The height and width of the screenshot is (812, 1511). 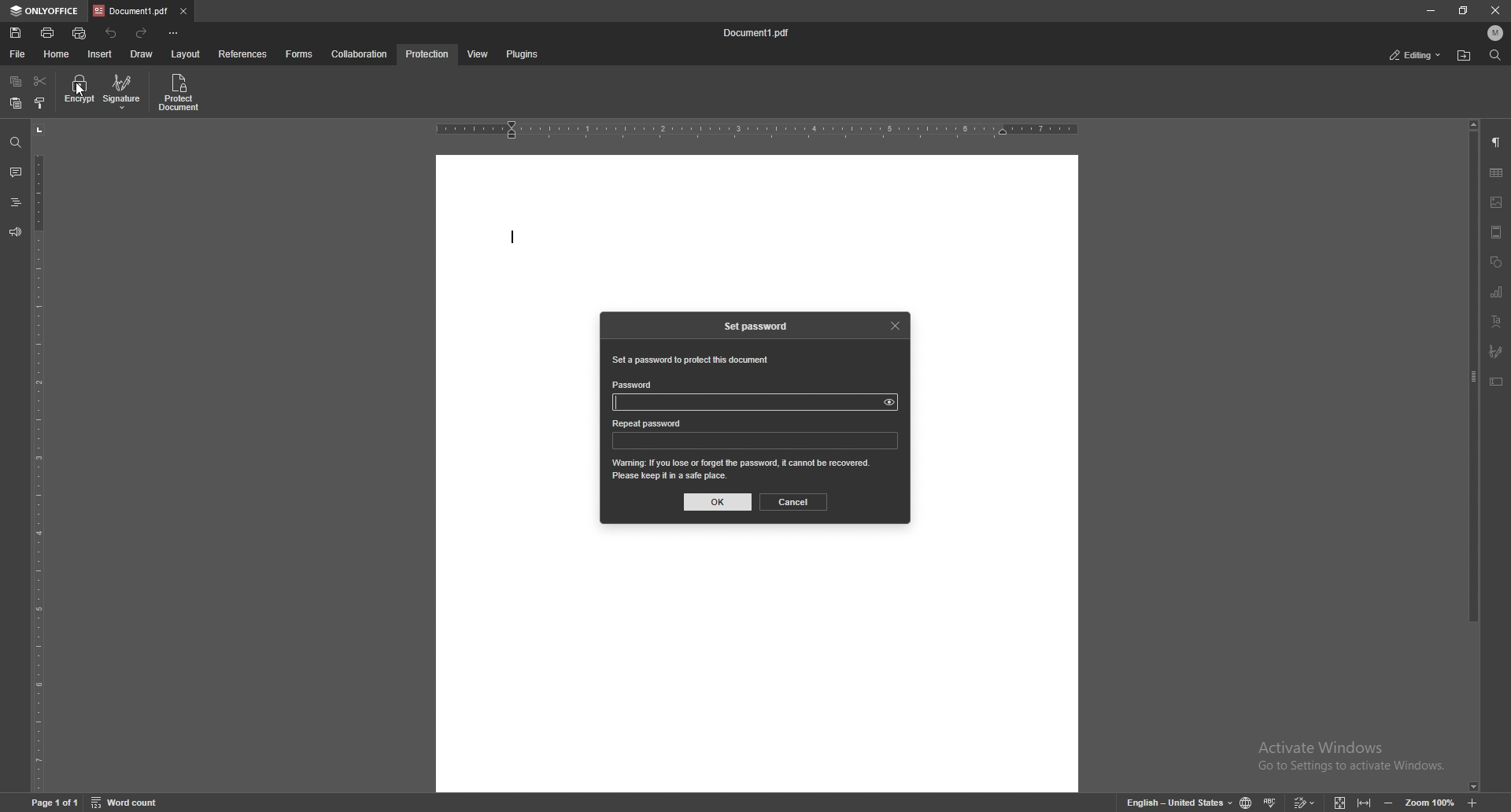 What do you see at coordinates (1431, 802) in the screenshot?
I see `zoom` at bounding box center [1431, 802].